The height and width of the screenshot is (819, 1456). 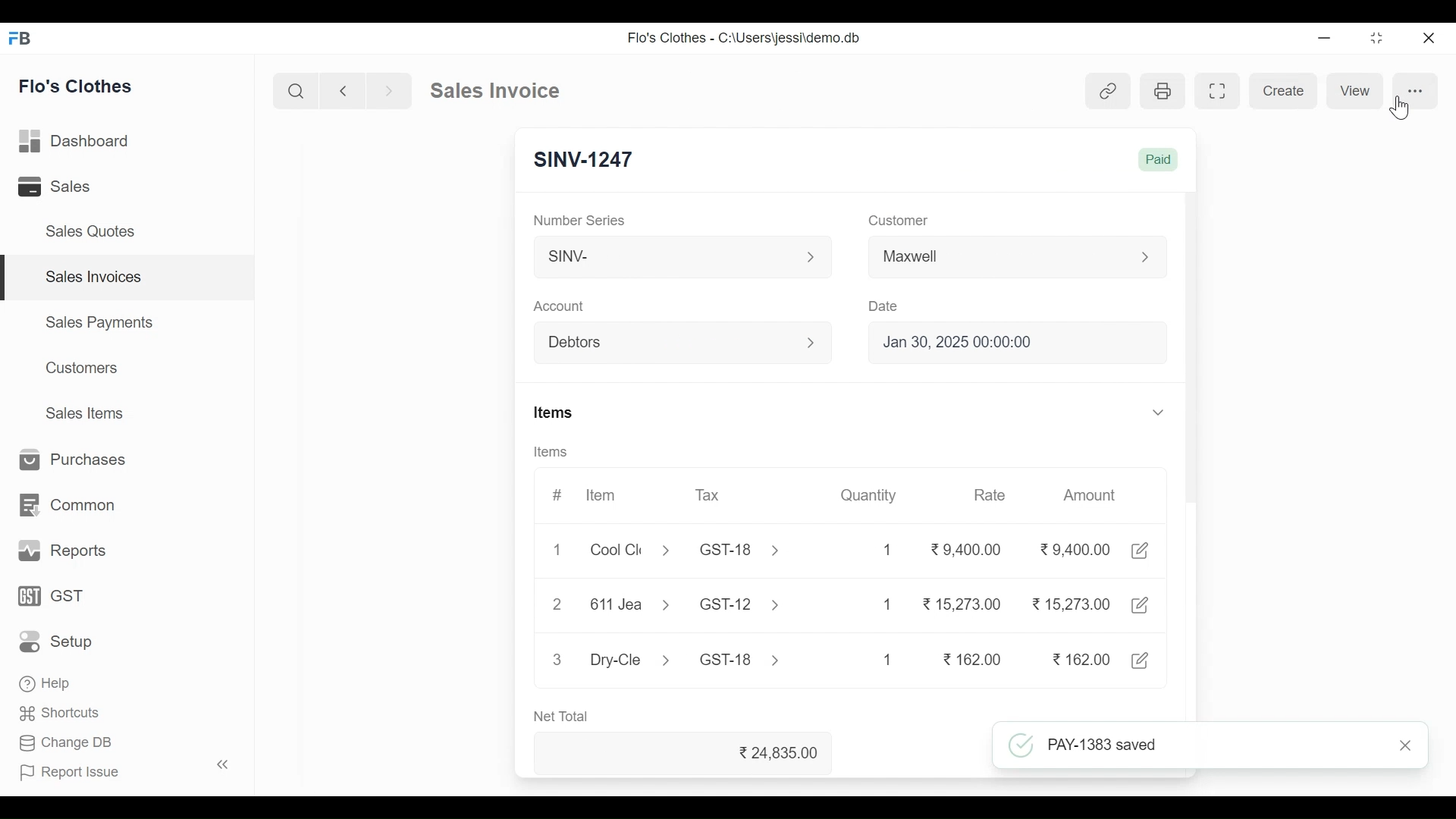 I want to click on 15,273.00, so click(x=1071, y=603).